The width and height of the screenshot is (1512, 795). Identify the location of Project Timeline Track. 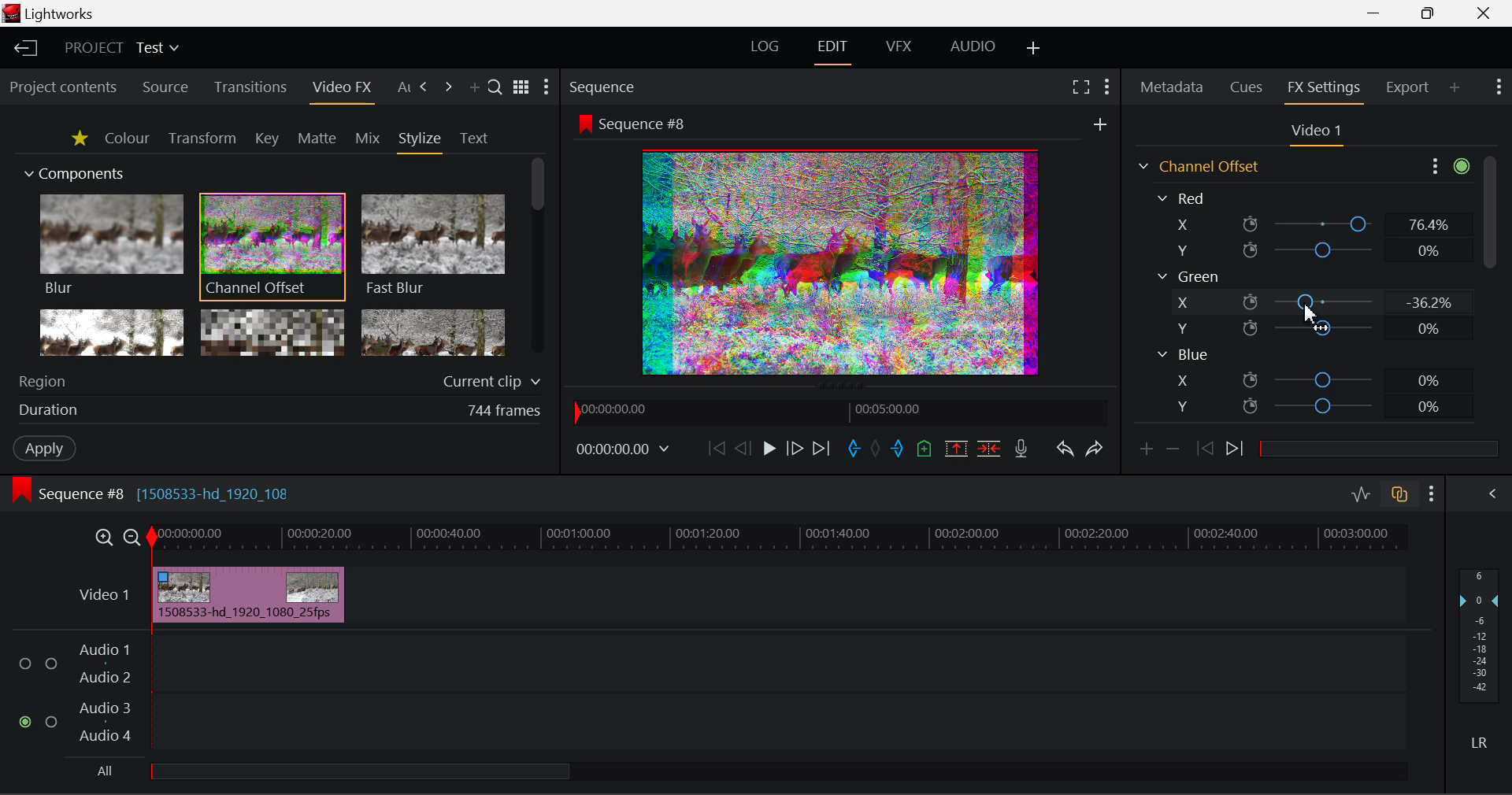
(780, 540).